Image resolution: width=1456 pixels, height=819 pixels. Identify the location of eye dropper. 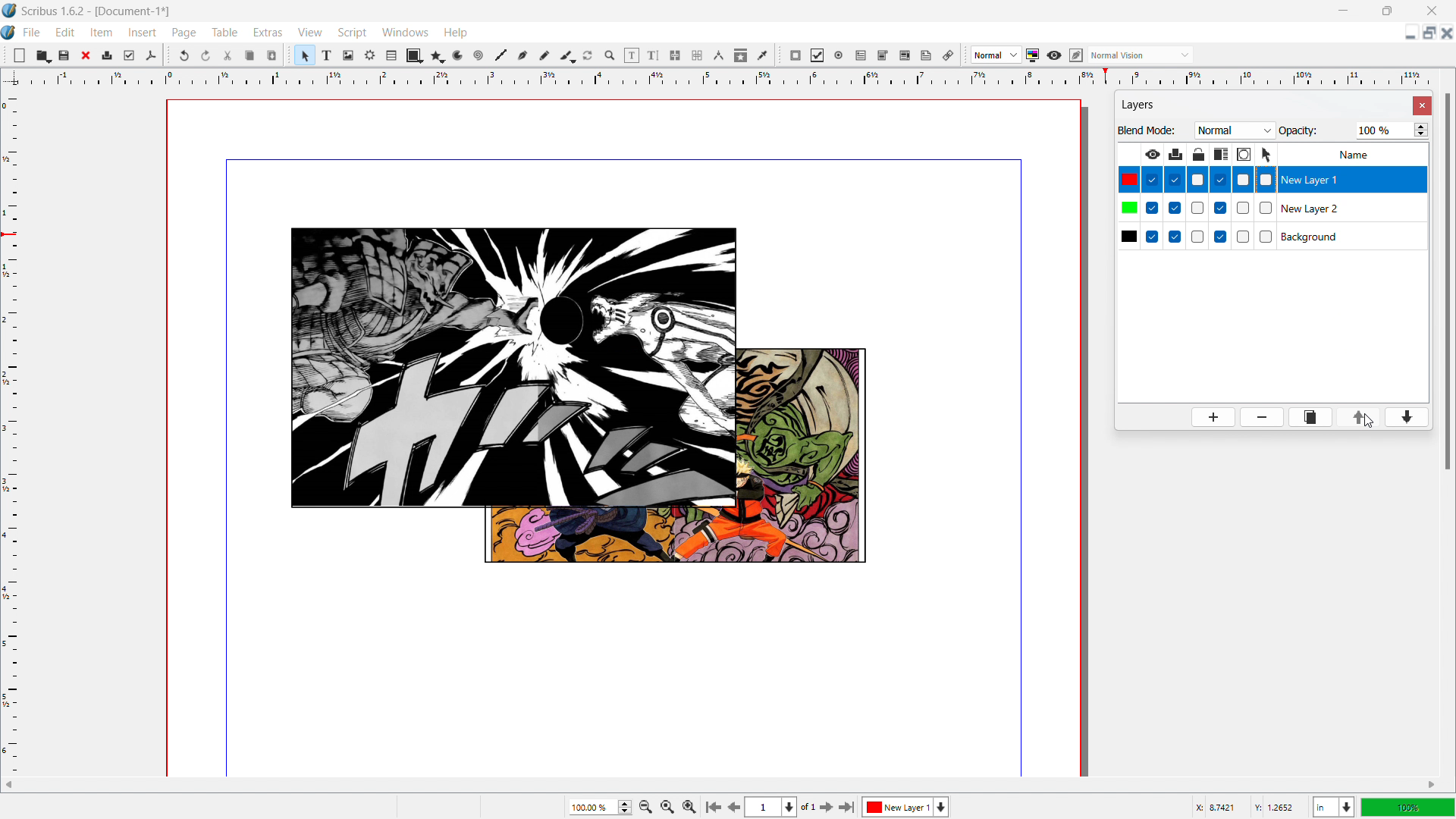
(762, 56).